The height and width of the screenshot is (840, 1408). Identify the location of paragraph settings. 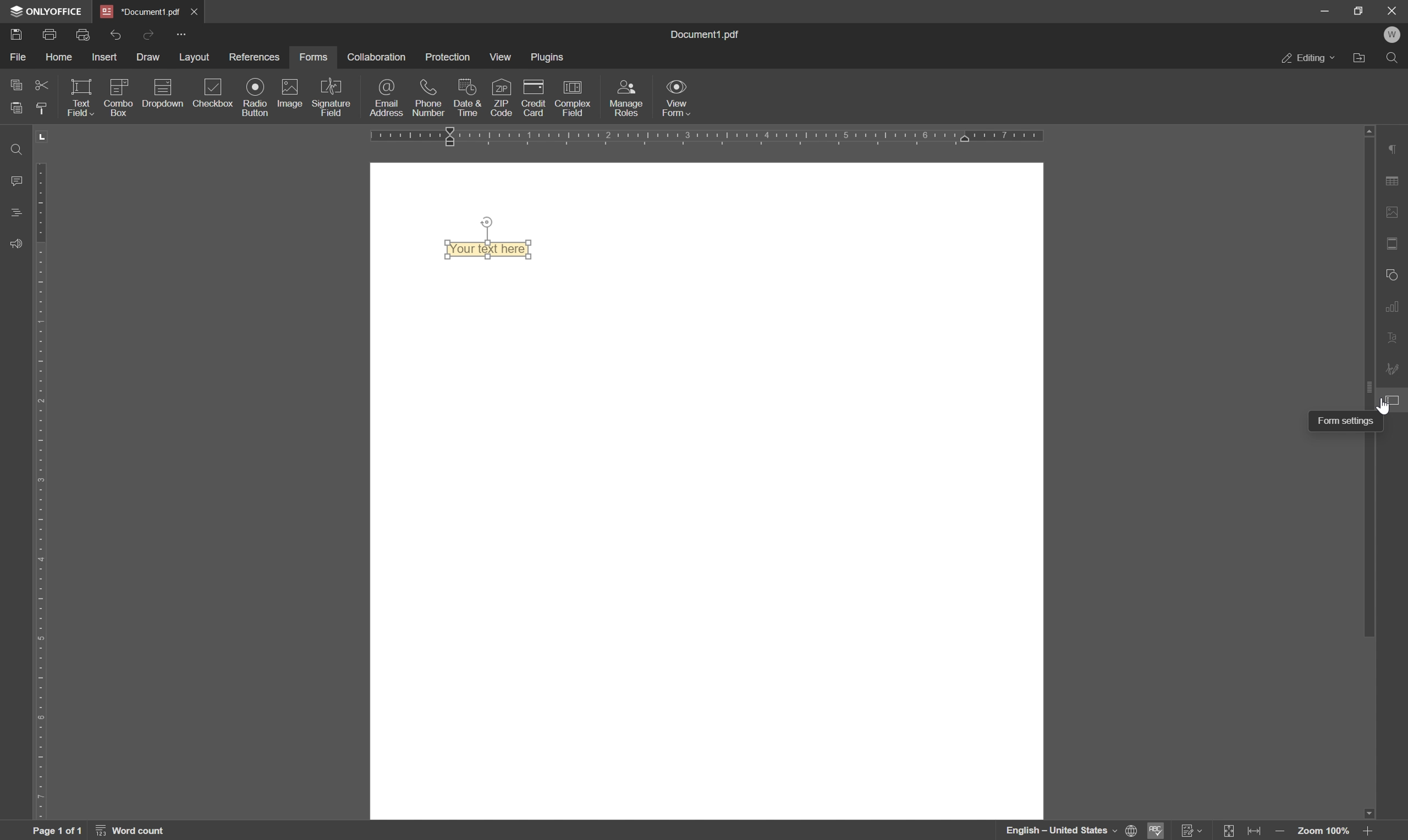
(1394, 148).